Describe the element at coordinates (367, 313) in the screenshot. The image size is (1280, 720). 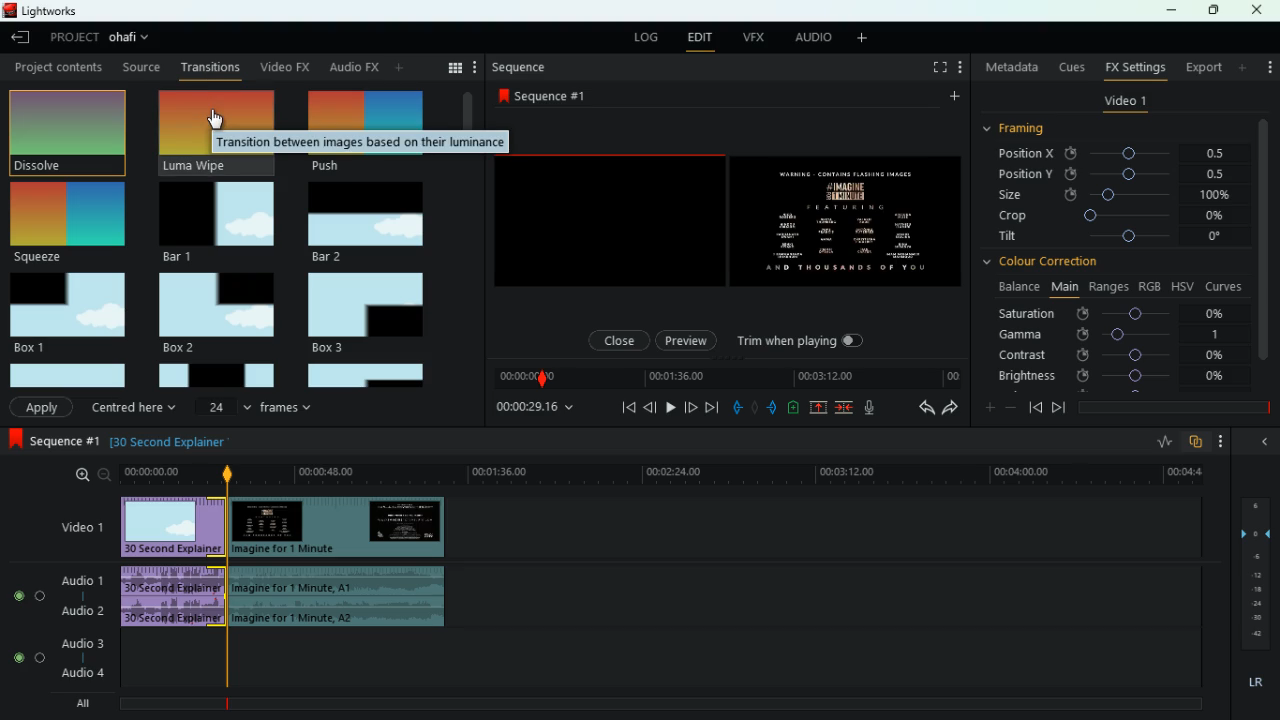
I see `box 3` at that location.